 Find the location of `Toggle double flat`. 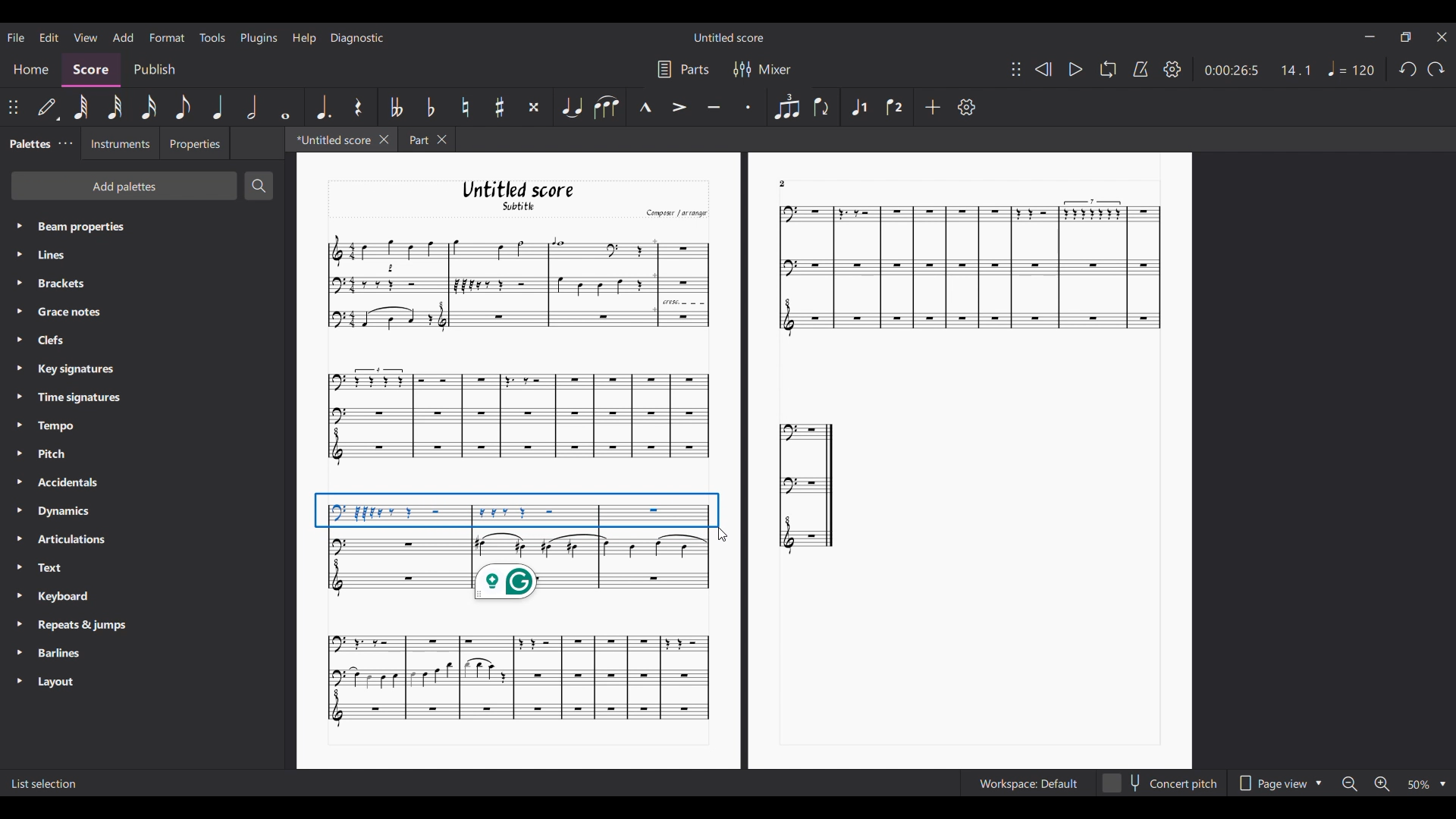

Toggle double flat is located at coordinates (397, 107).